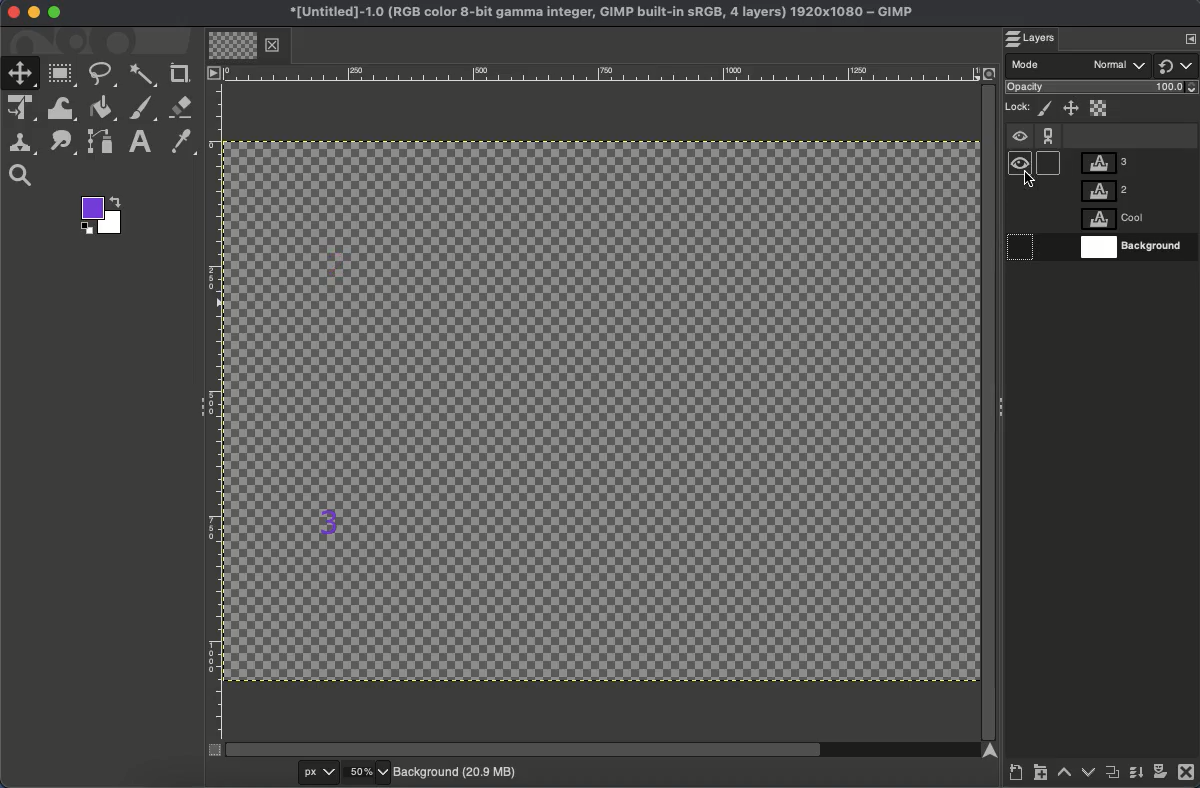  Describe the element at coordinates (603, 750) in the screenshot. I see `Scroll` at that location.